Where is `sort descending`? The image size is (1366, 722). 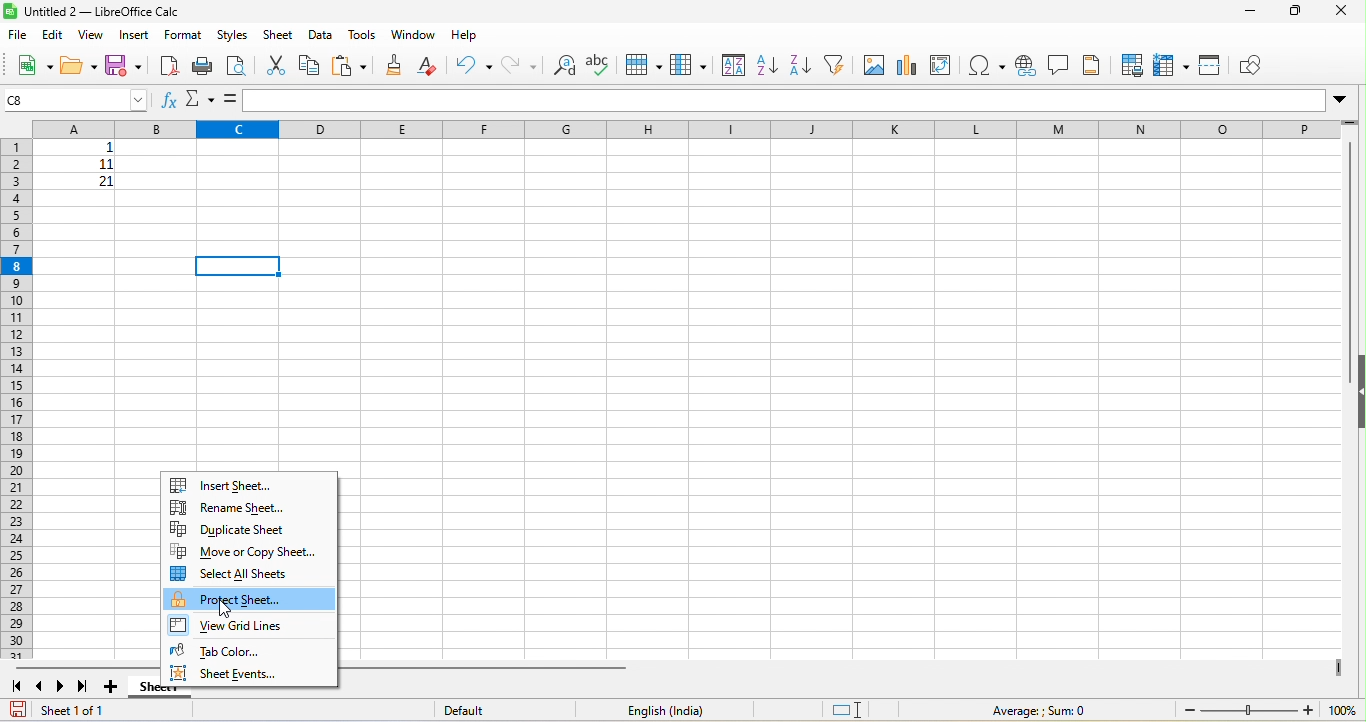 sort descending is located at coordinates (799, 64).